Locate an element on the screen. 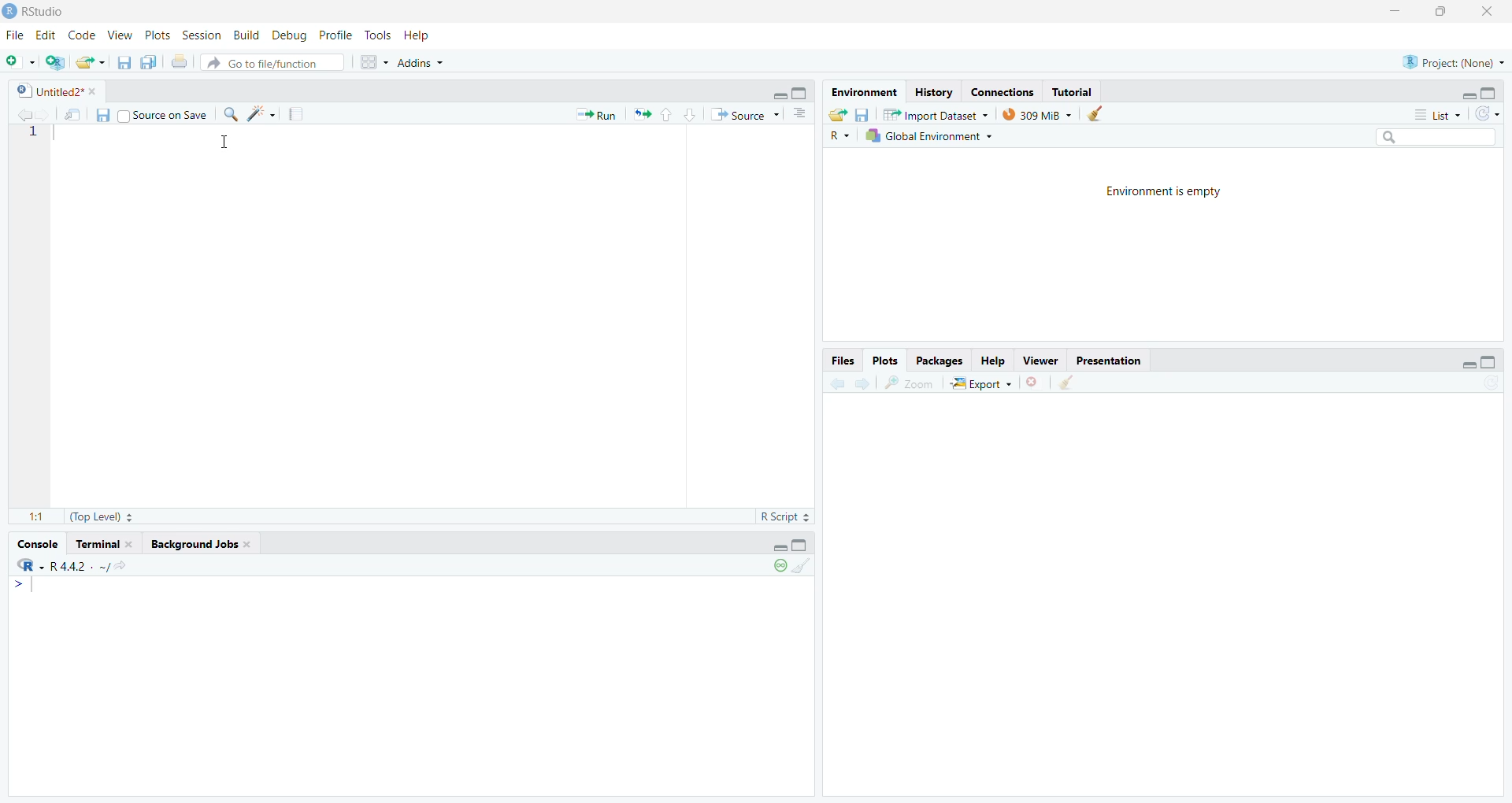 The width and height of the screenshot is (1512, 803). Go to file/function is located at coordinates (265, 65).